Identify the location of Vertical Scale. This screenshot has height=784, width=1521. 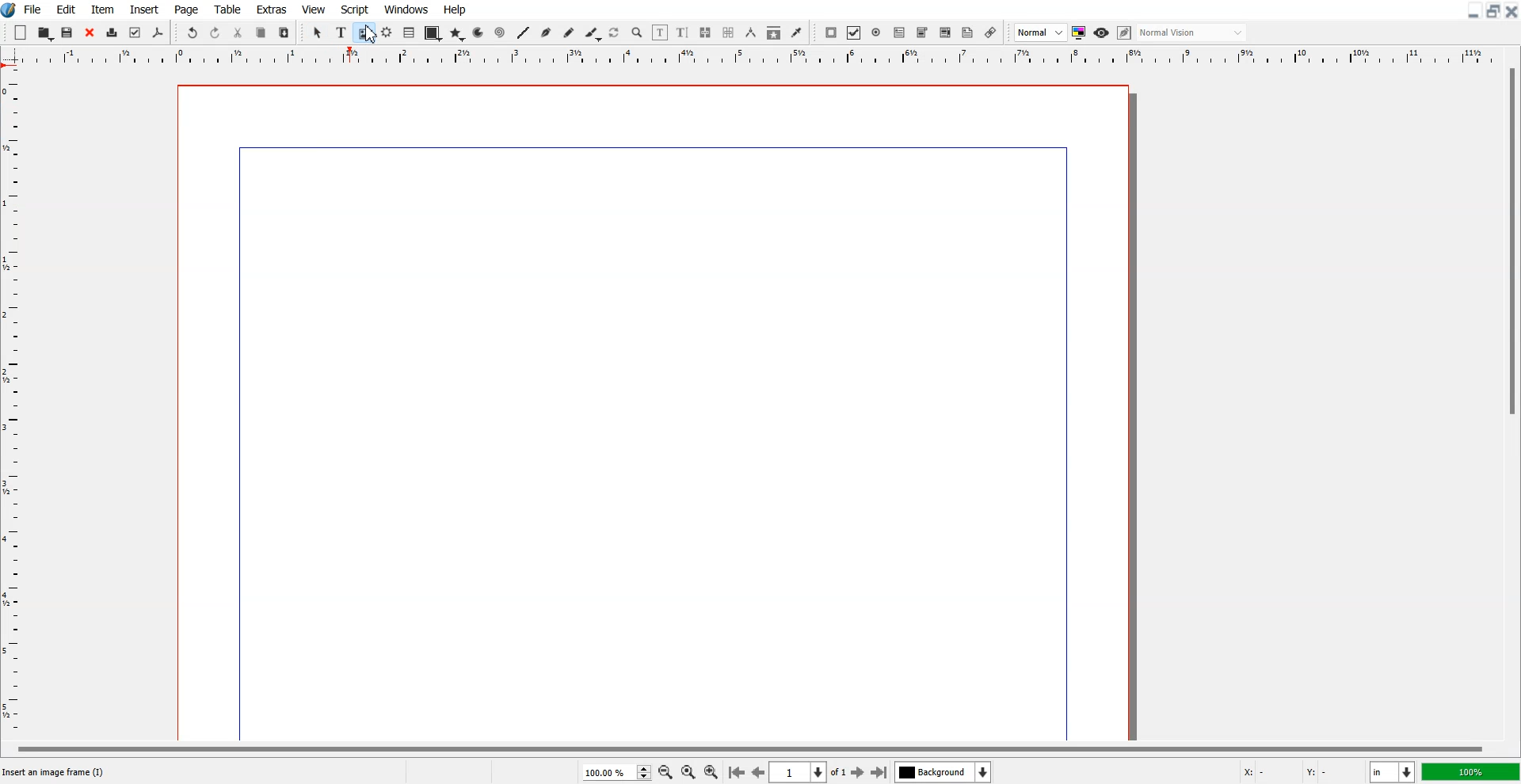
(760, 57).